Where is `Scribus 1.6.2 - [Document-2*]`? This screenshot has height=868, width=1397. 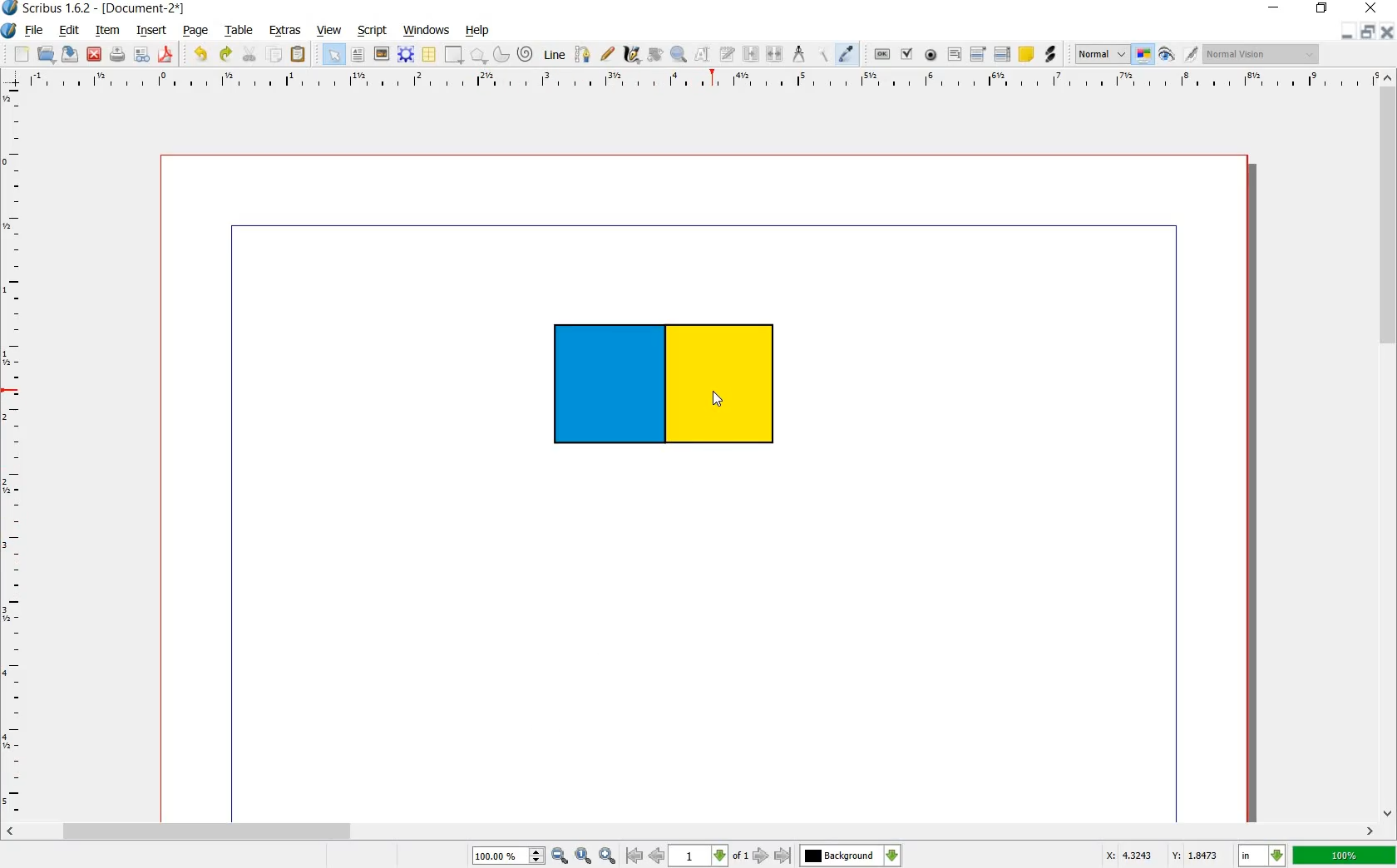
Scribus 1.6.2 - [Document-2*] is located at coordinates (96, 8).